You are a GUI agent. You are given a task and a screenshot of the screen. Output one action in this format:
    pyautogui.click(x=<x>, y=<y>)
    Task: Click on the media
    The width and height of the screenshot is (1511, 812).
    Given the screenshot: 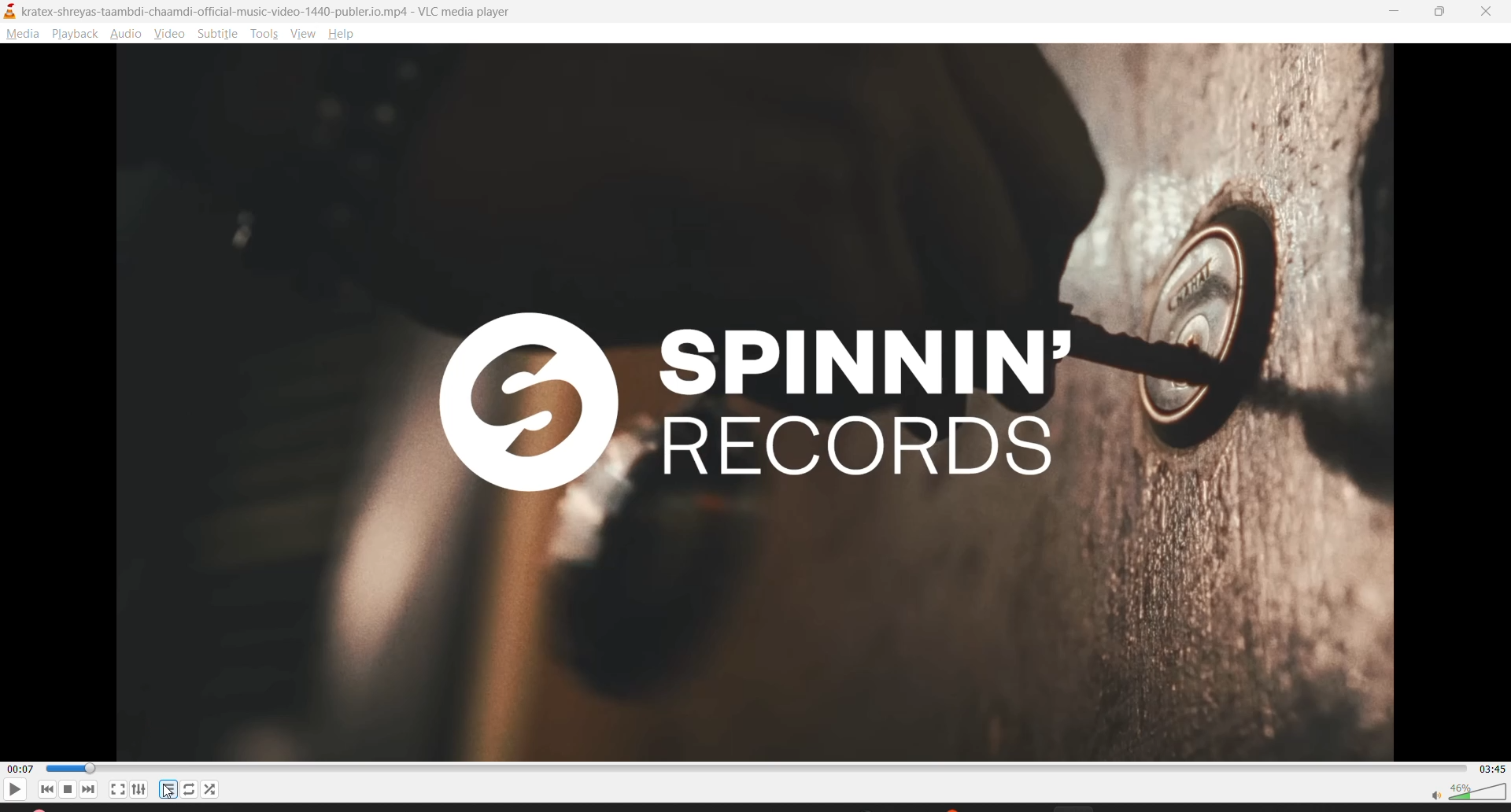 What is the action you would take?
    pyautogui.click(x=21, y=35)
    